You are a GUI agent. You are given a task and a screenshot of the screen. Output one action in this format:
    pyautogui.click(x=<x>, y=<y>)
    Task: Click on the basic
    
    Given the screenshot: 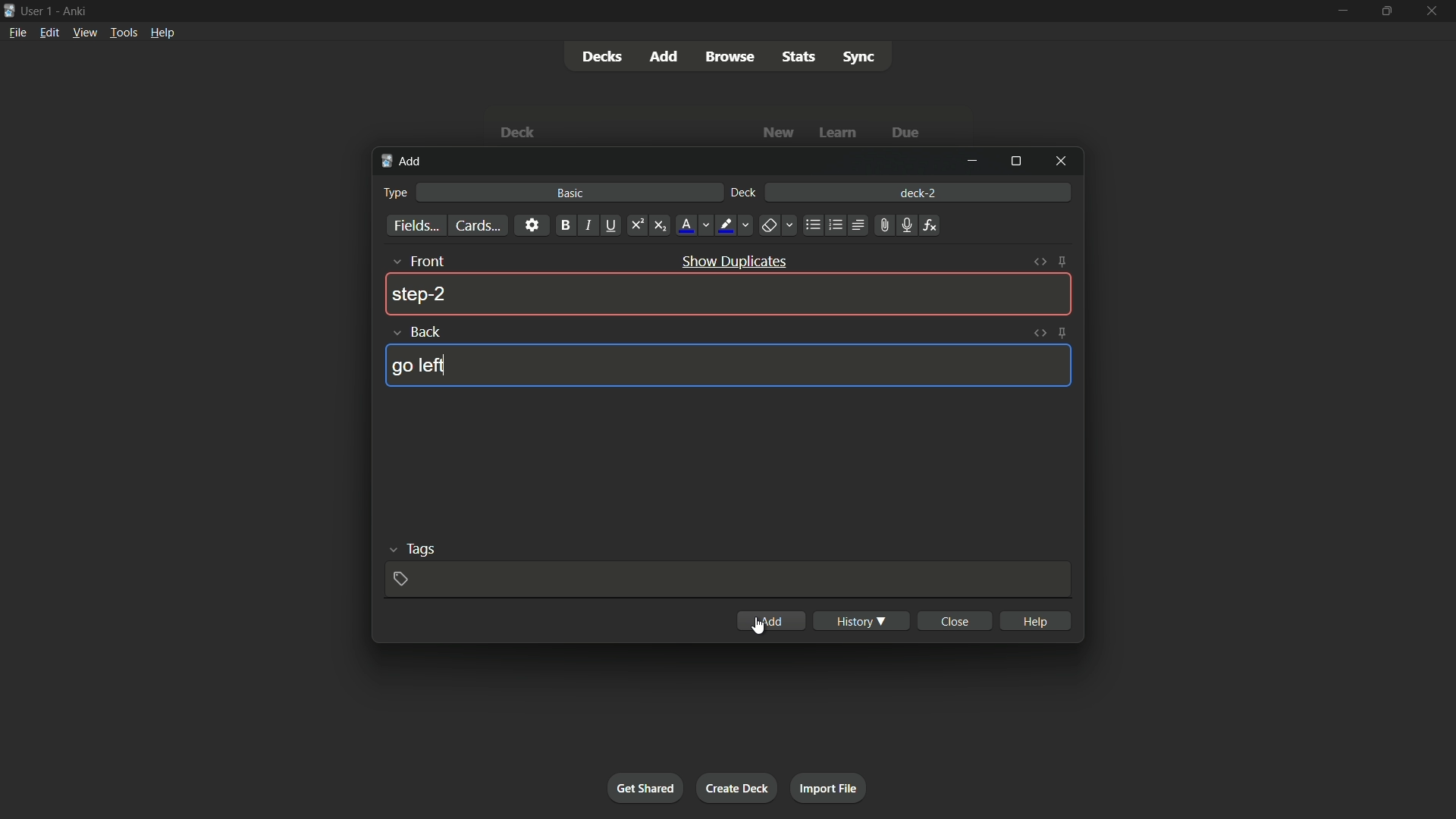 What is the action you would take?
    pyautogui.click(x=570, y=193)
    